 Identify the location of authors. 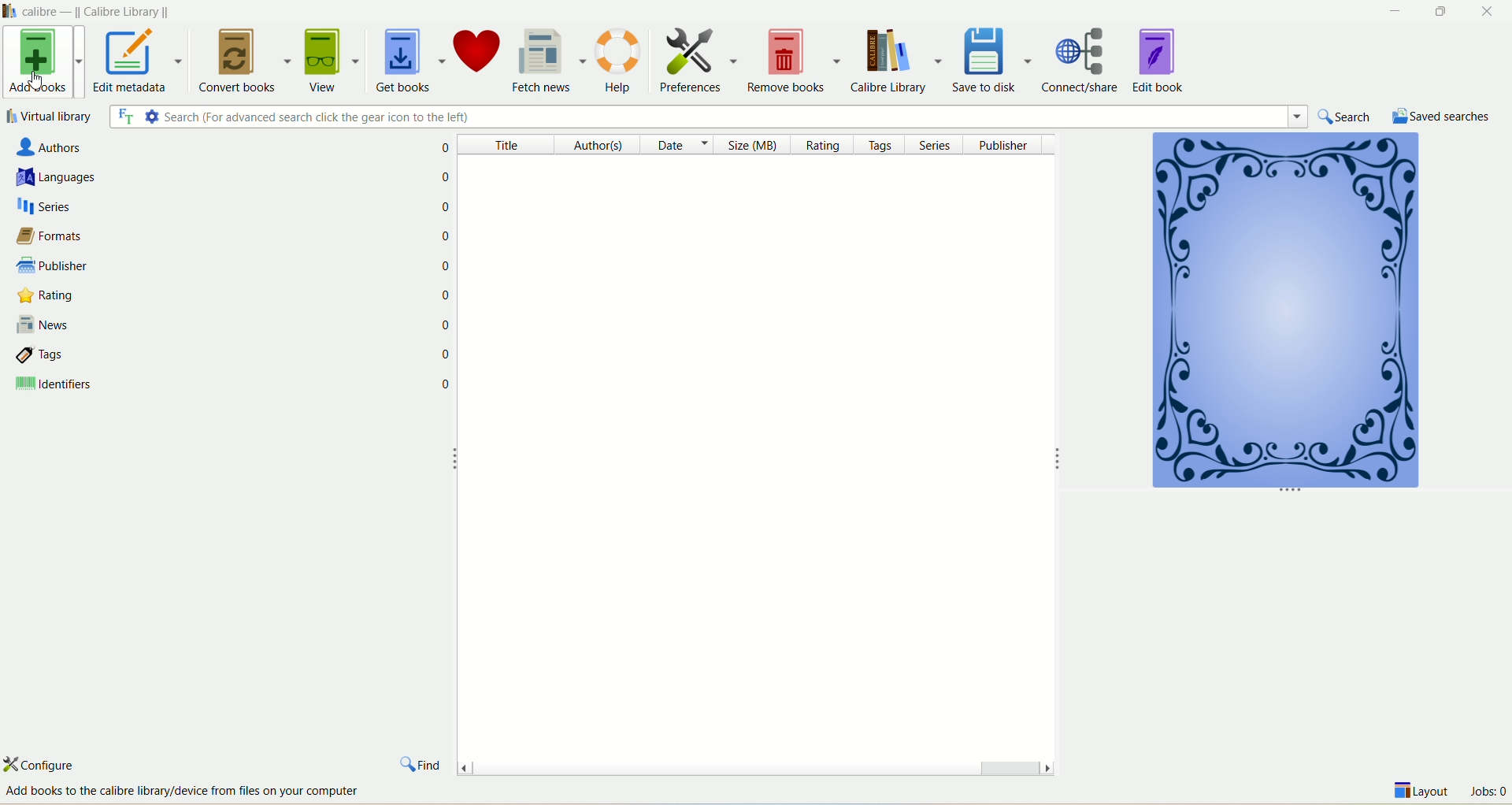
(593, 146).